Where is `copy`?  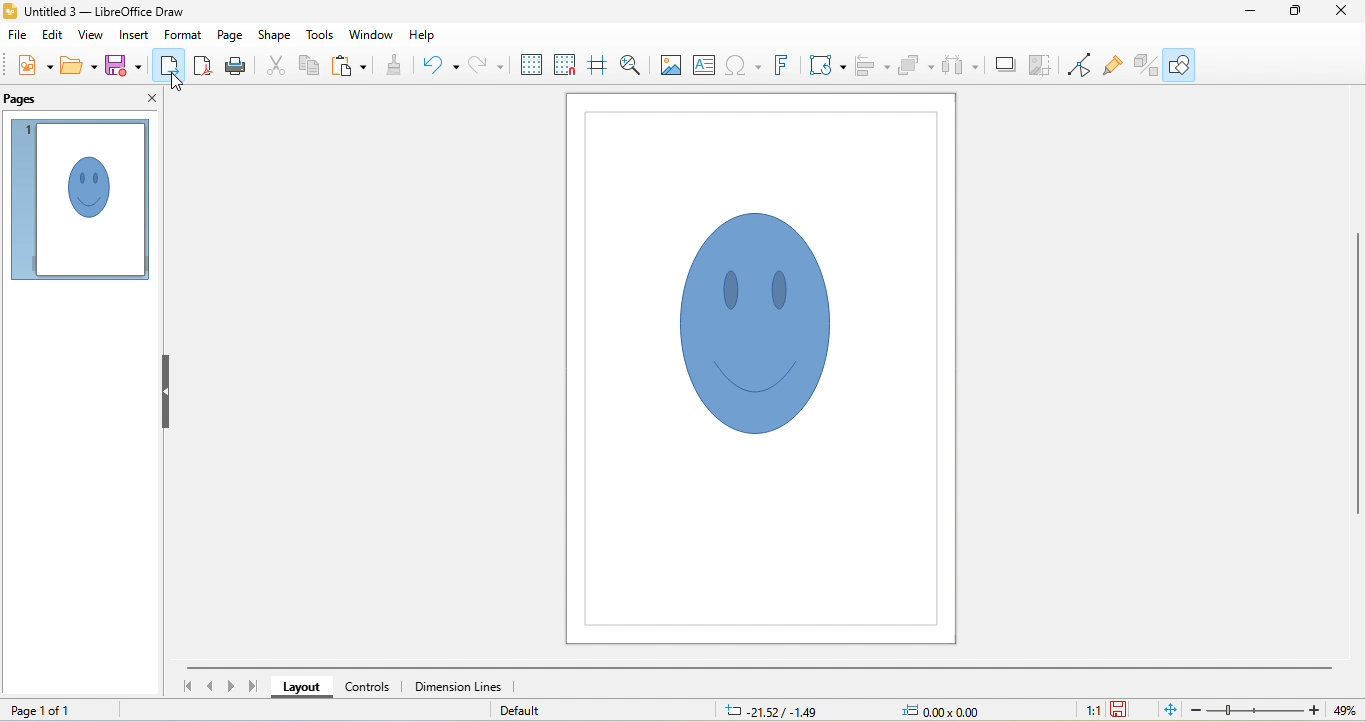 copy is located at coordinates (307, 64).